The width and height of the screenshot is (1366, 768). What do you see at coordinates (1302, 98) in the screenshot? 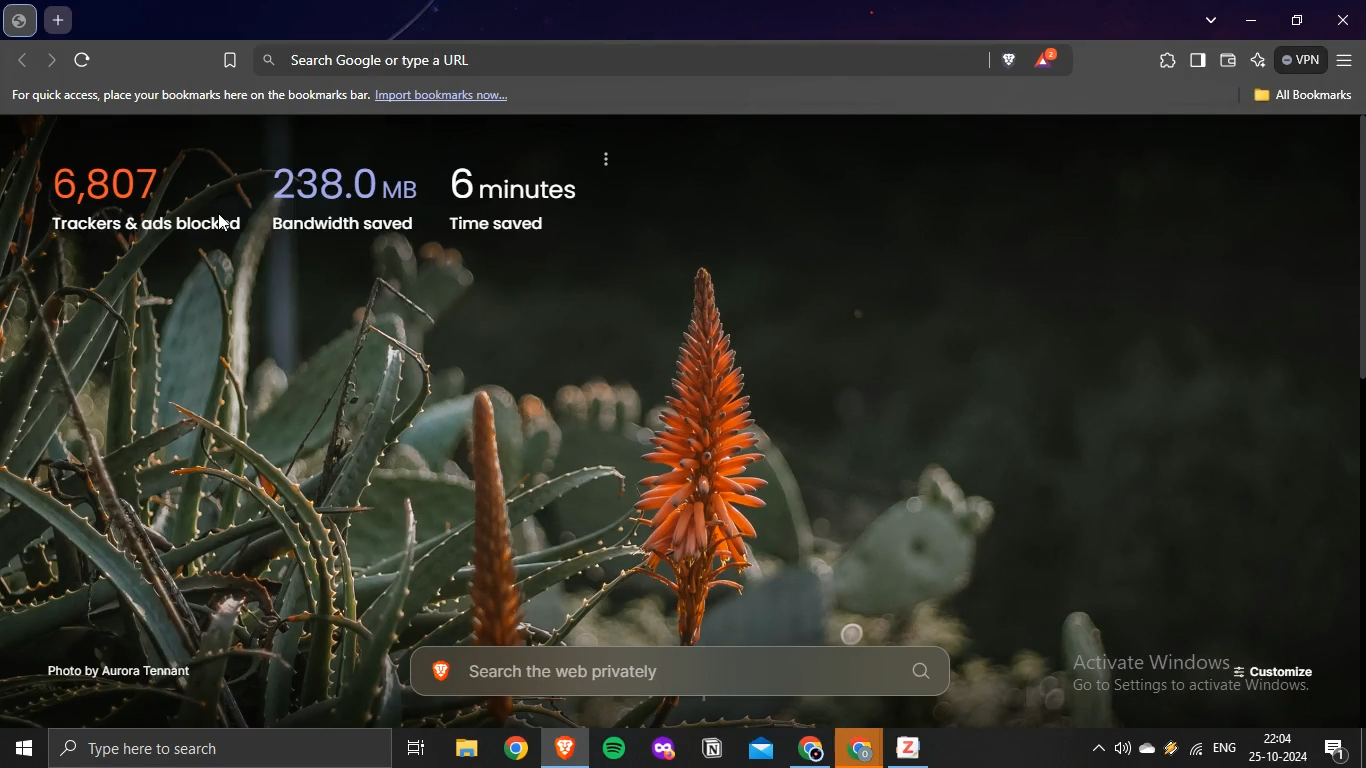
I see `all bookmarks` at bounding box center [1302, 98].